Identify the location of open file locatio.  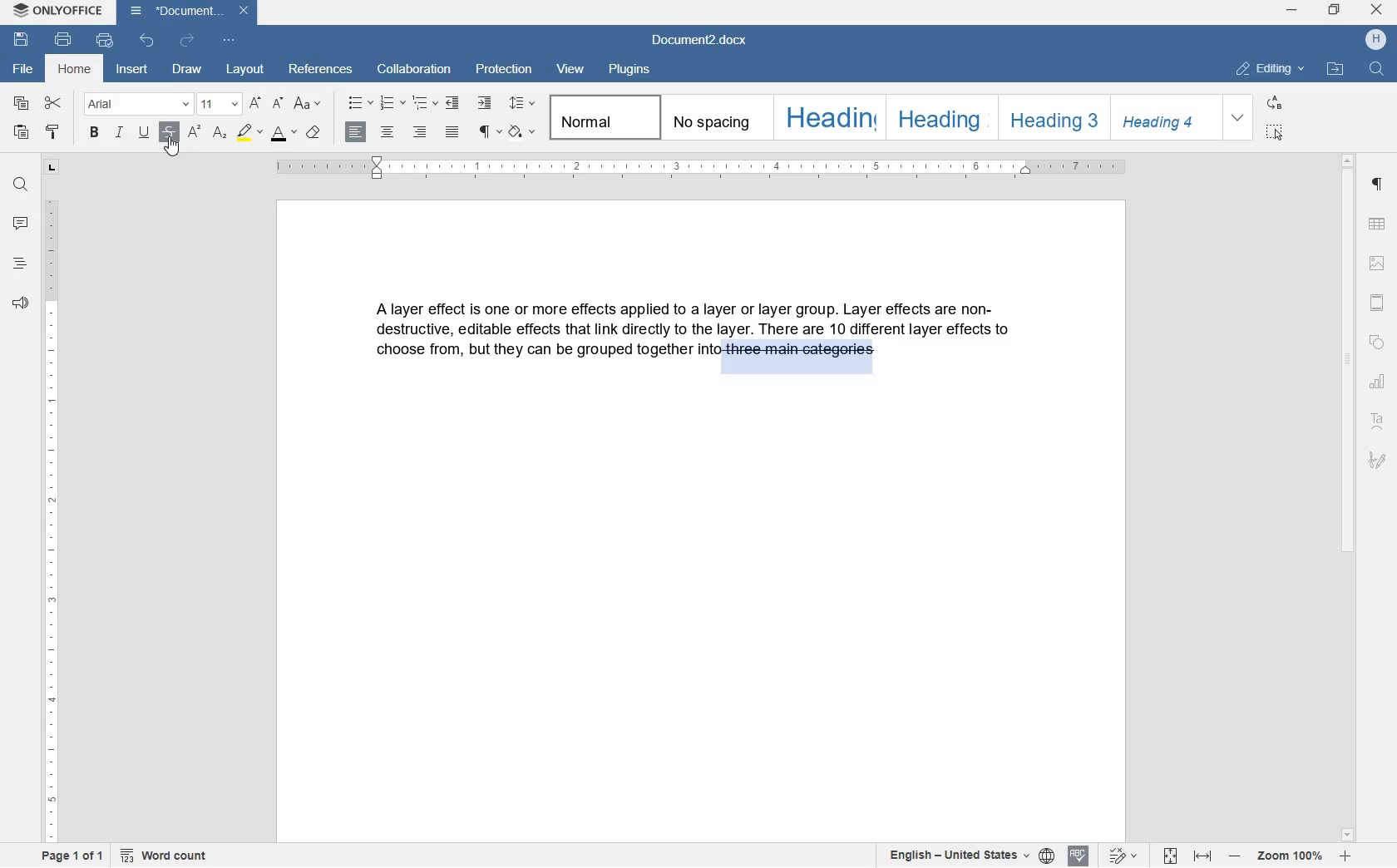
(1335, 69).